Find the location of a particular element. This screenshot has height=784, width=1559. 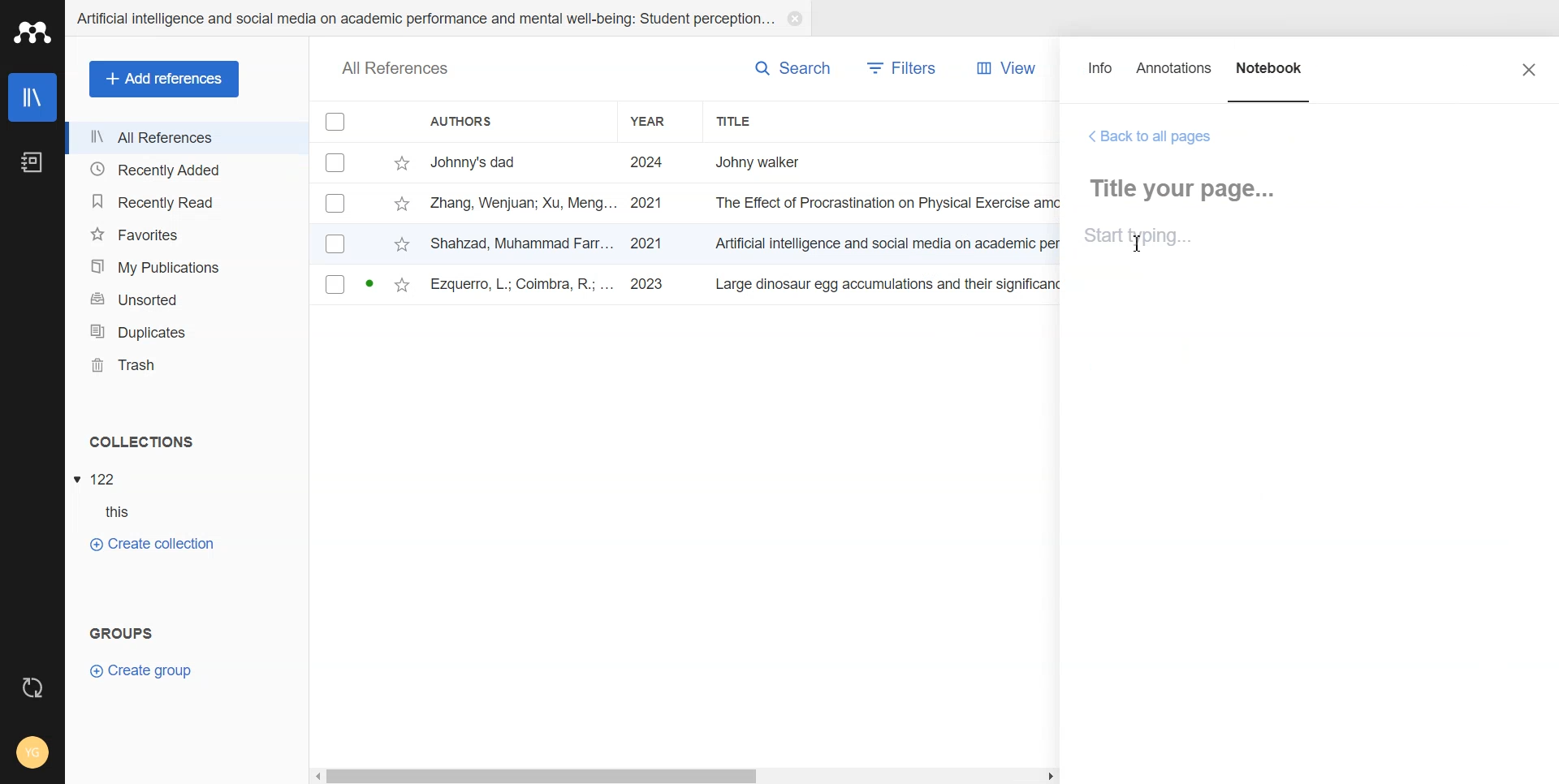

Duplicates is located at coordinates (186, 332).